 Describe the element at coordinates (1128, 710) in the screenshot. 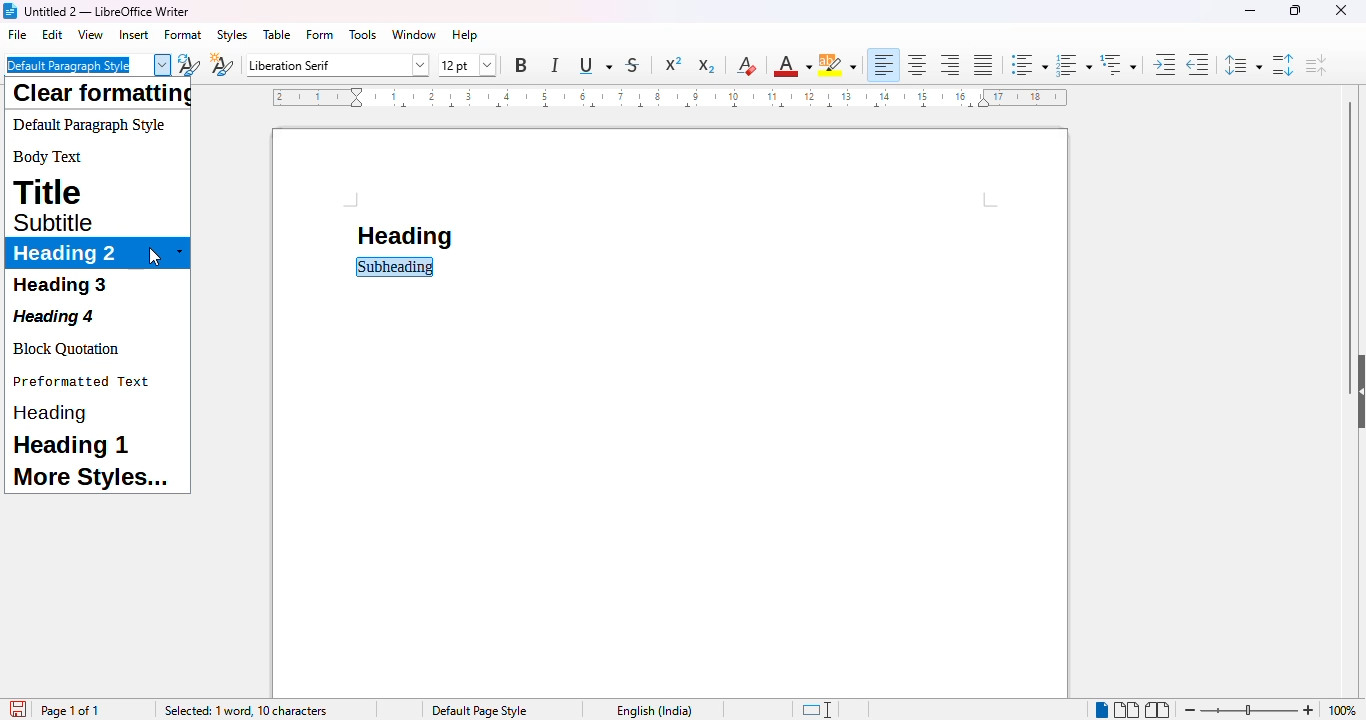

I see `multi-page view` at that location.